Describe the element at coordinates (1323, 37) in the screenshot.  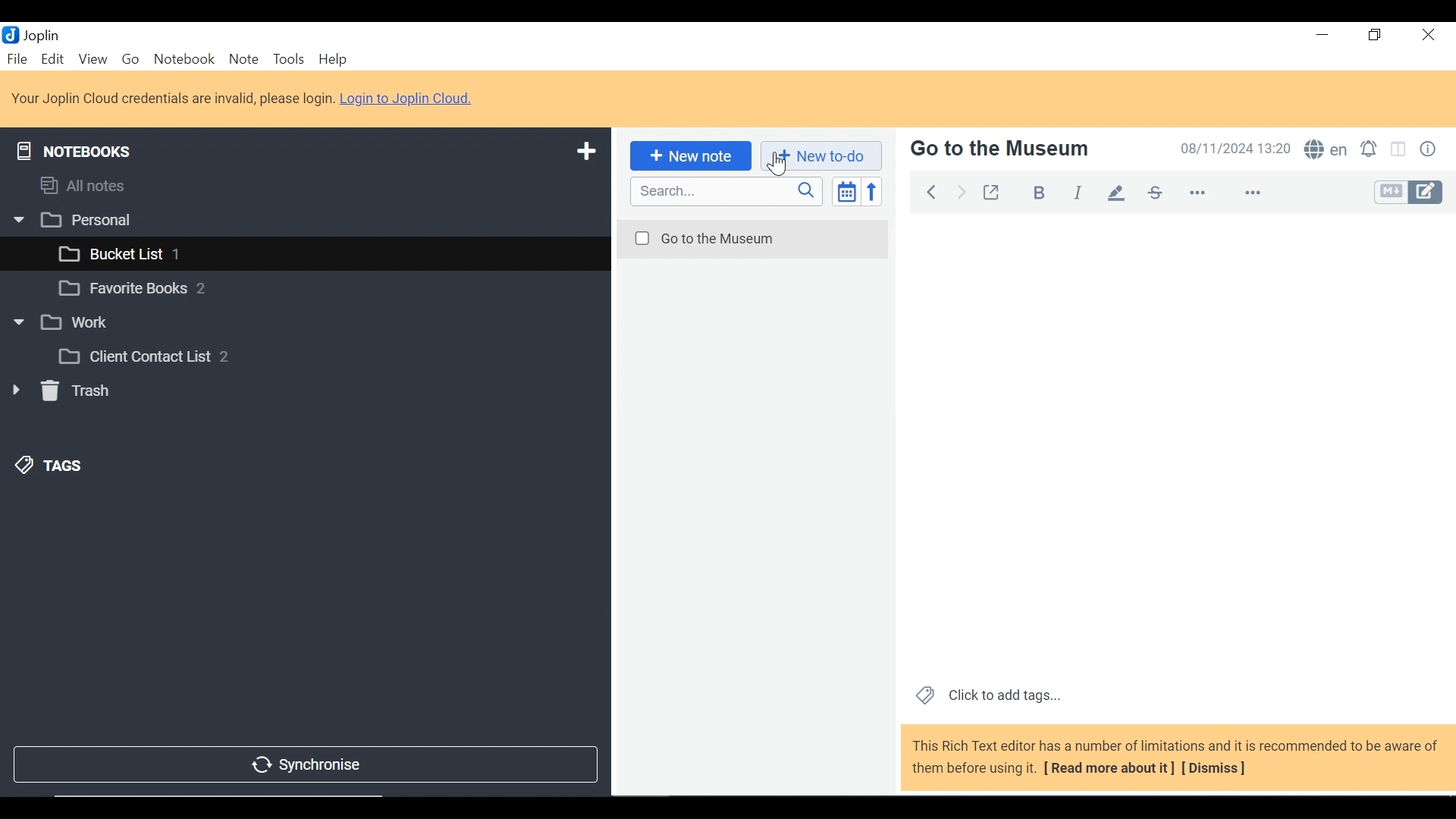
I see `minimize` at that location.